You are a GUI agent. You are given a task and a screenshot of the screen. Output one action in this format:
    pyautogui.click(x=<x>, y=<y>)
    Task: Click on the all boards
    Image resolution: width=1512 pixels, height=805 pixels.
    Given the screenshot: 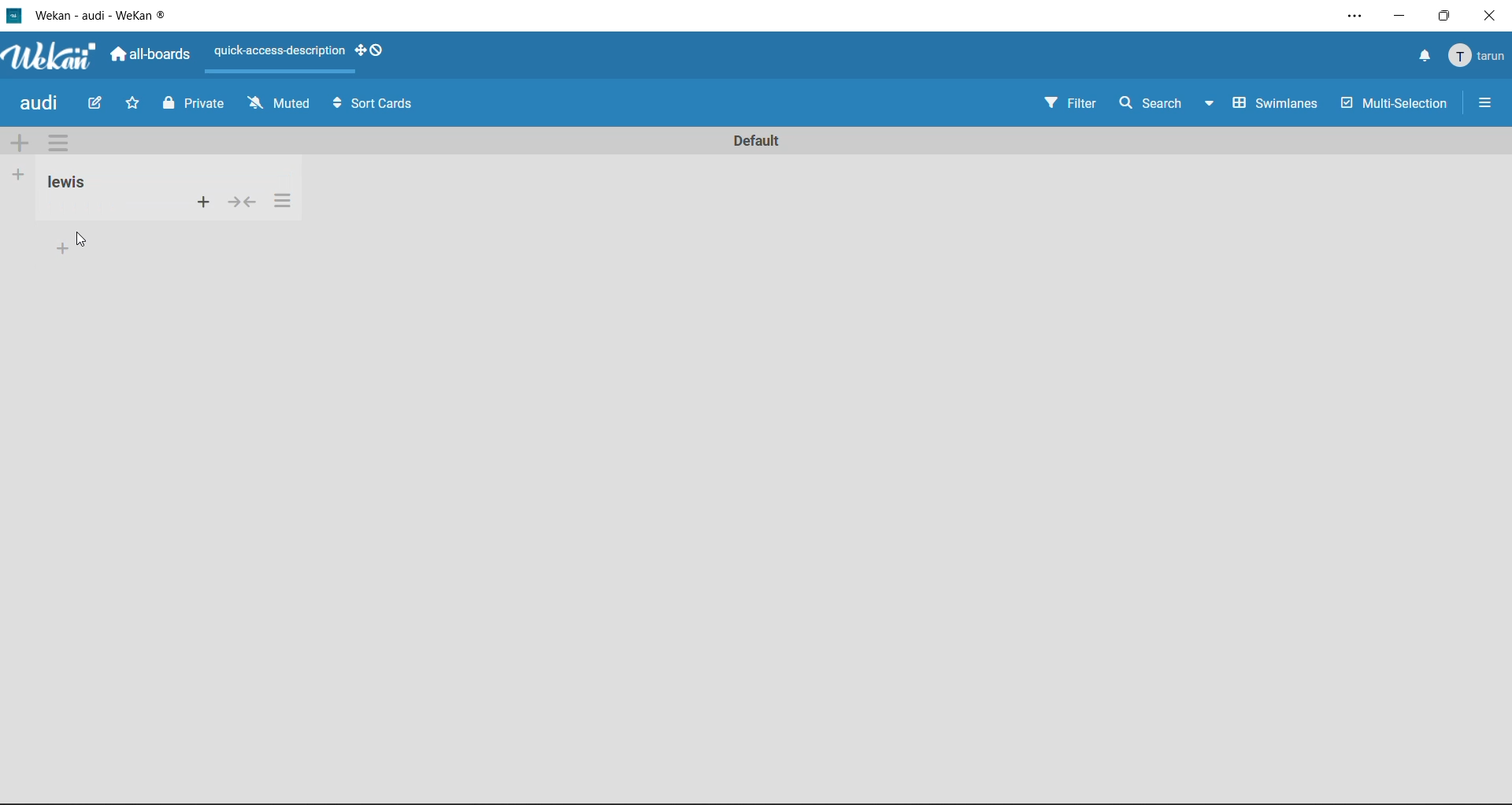 What is the action you would take?
    pyautogui.click(x=154, y=56)
    